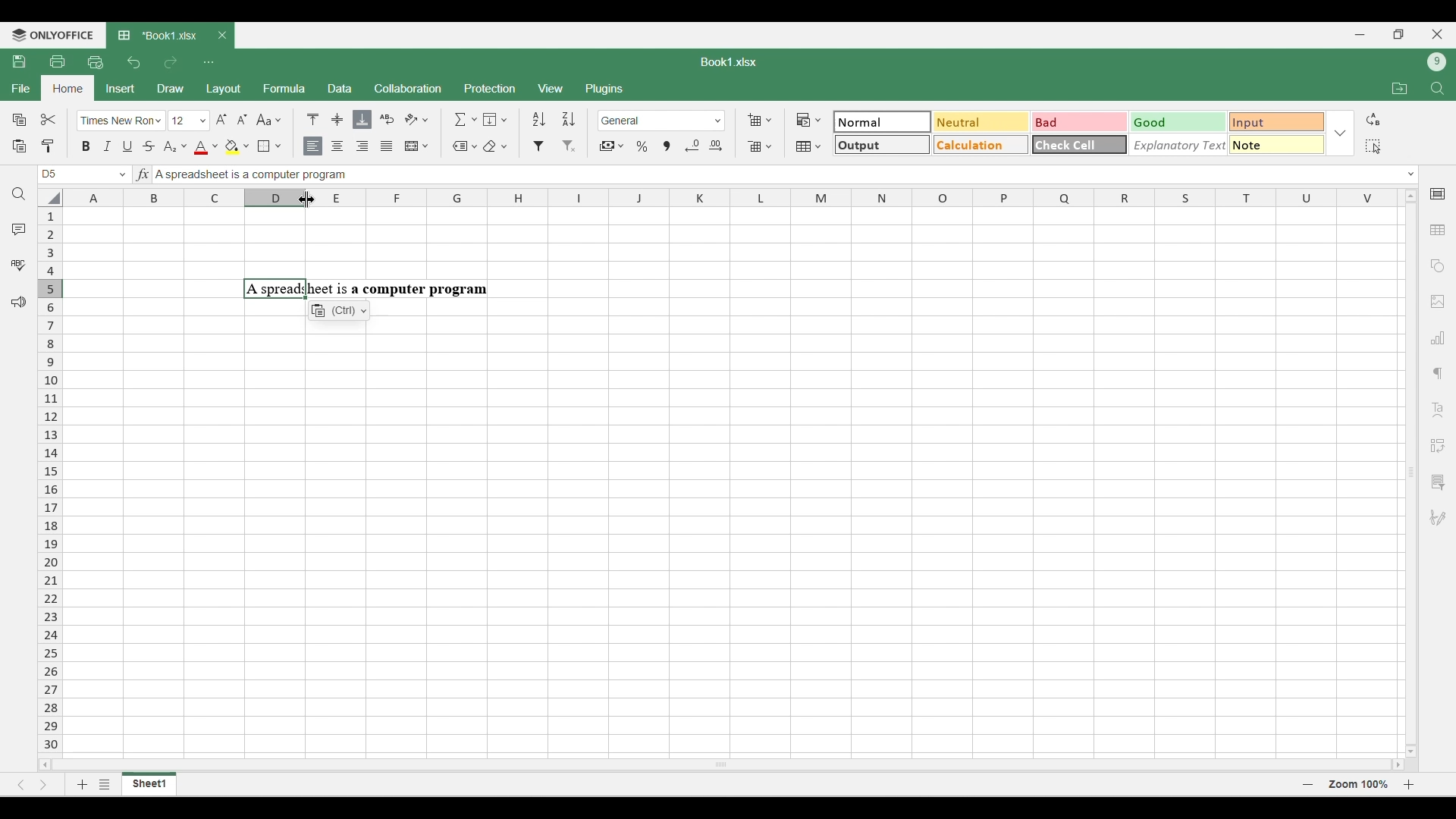  Describe the element at coordinates (284, 88) in the screenshot. I see `Formula menu` at that location.